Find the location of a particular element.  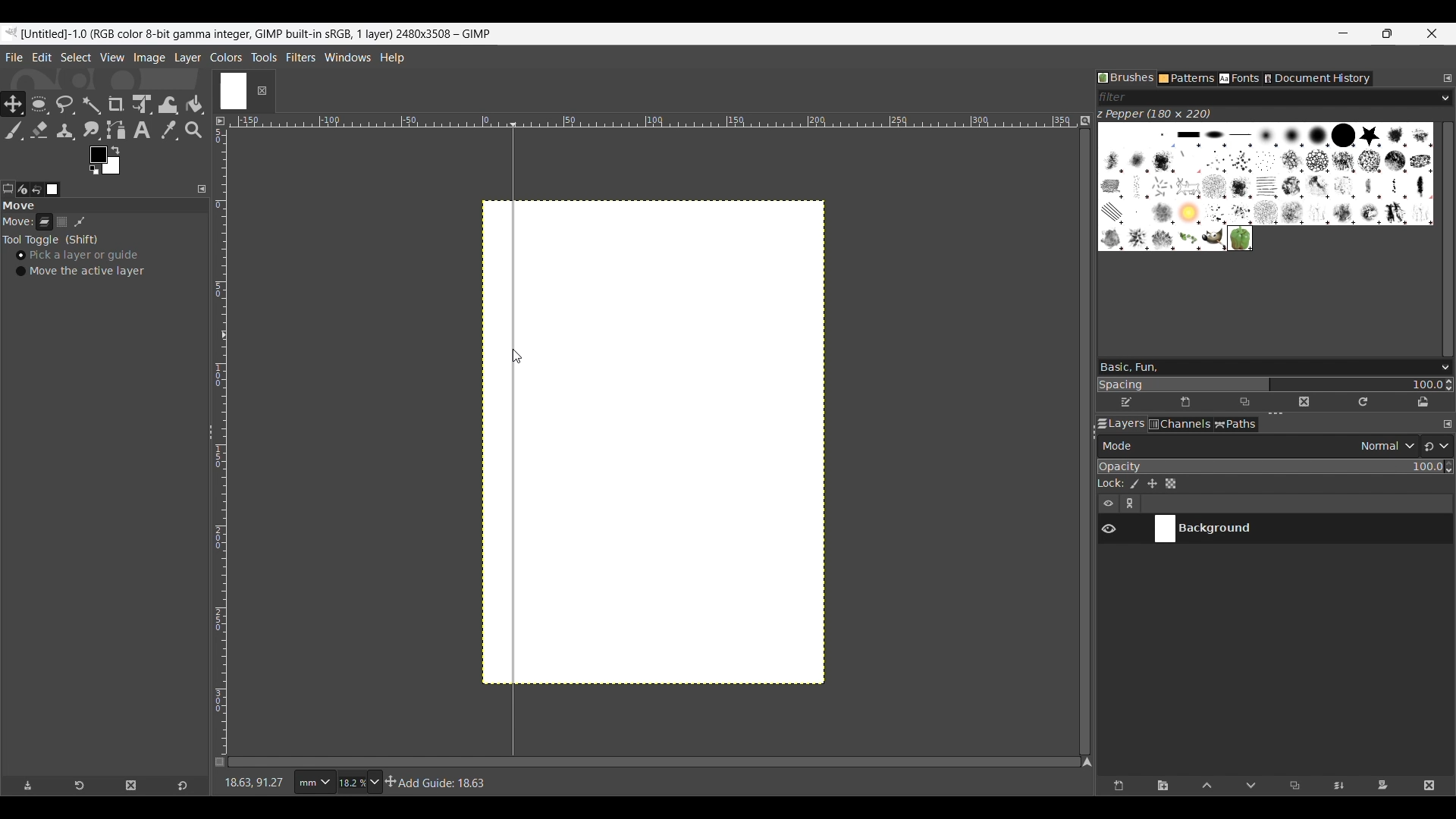

Ellipse select tool is located at coordinates (37, 104).